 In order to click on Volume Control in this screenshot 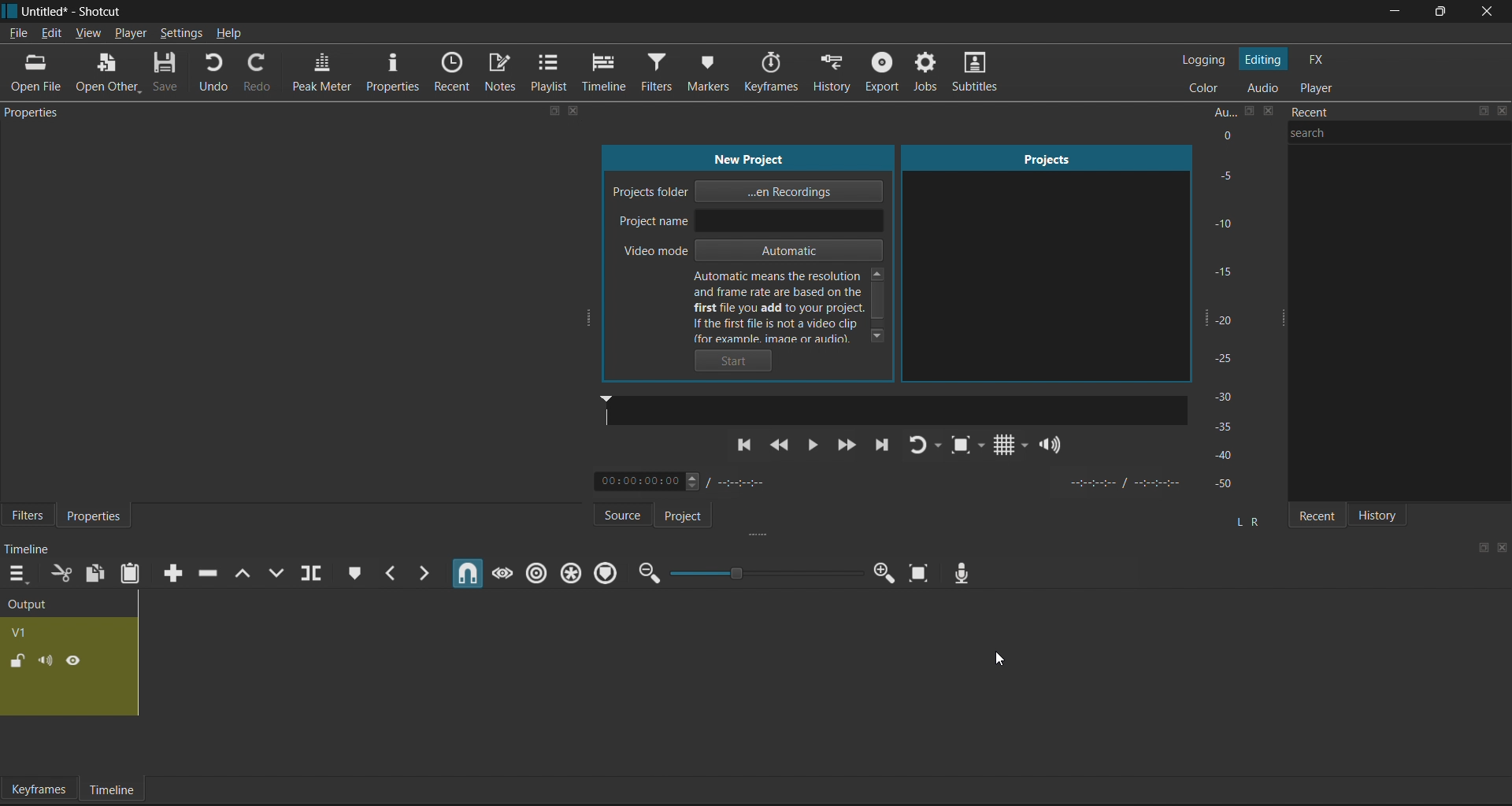, I will do `click(1053, 446)`.